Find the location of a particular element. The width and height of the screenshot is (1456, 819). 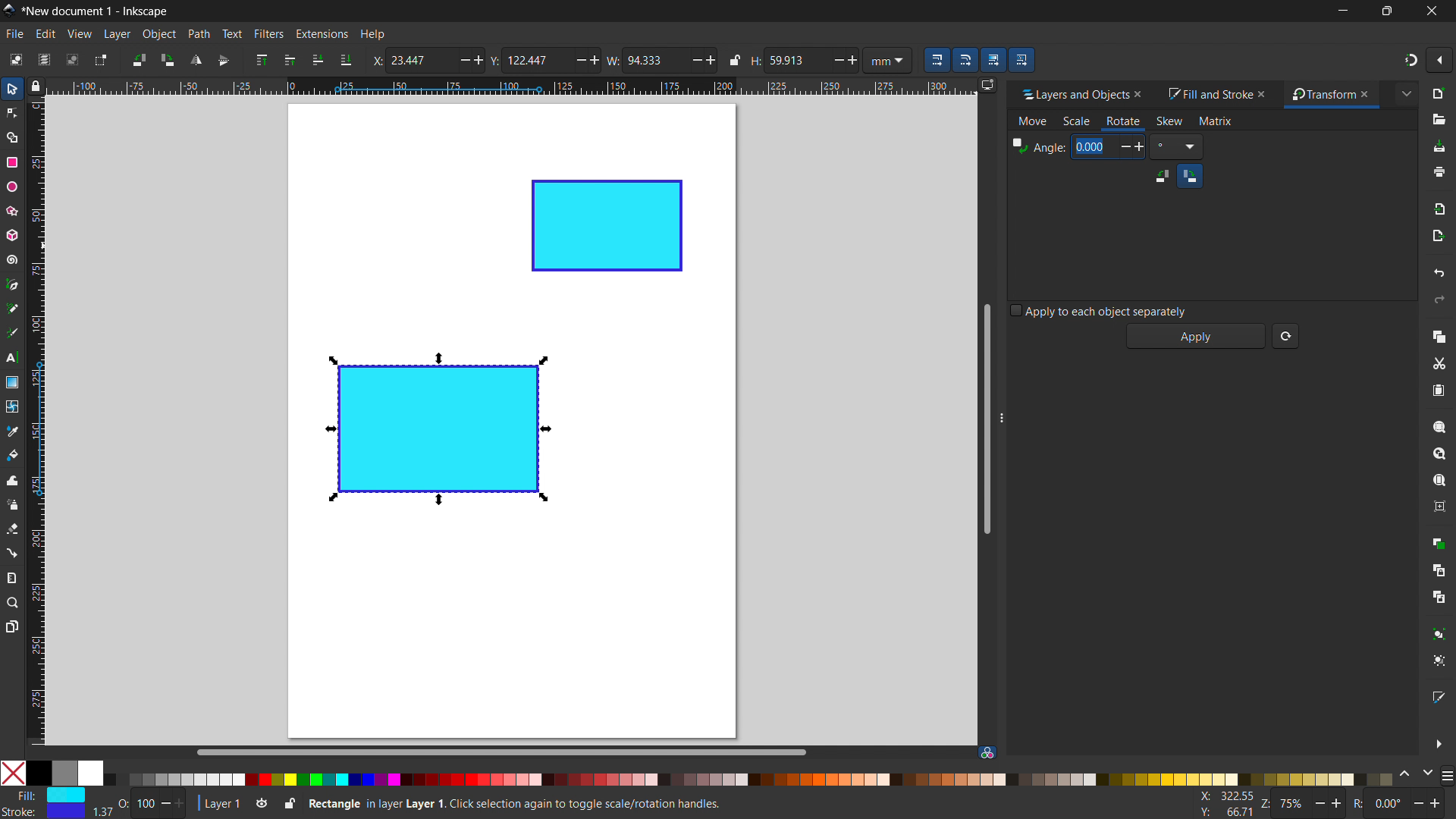

rotate 90 cw is located at coordinates (167, 60).